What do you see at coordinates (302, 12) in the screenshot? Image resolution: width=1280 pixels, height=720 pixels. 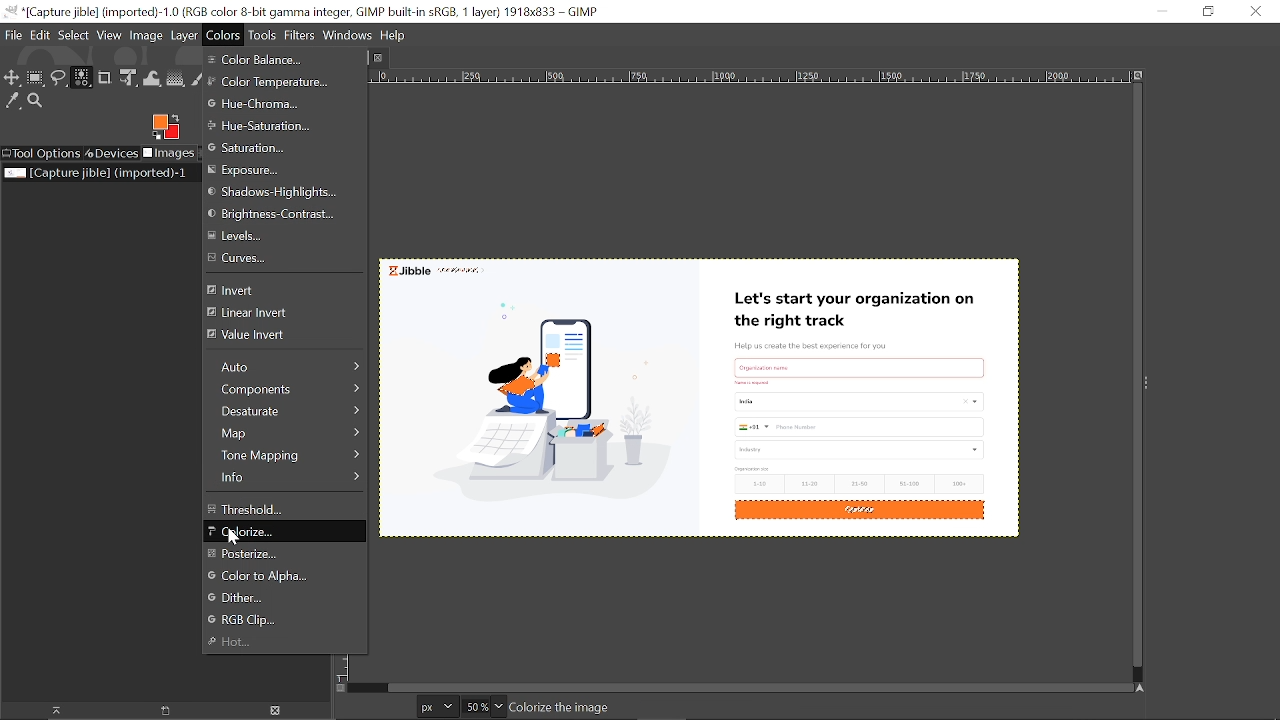 I see `Current window` at bounding box center [302, 12].